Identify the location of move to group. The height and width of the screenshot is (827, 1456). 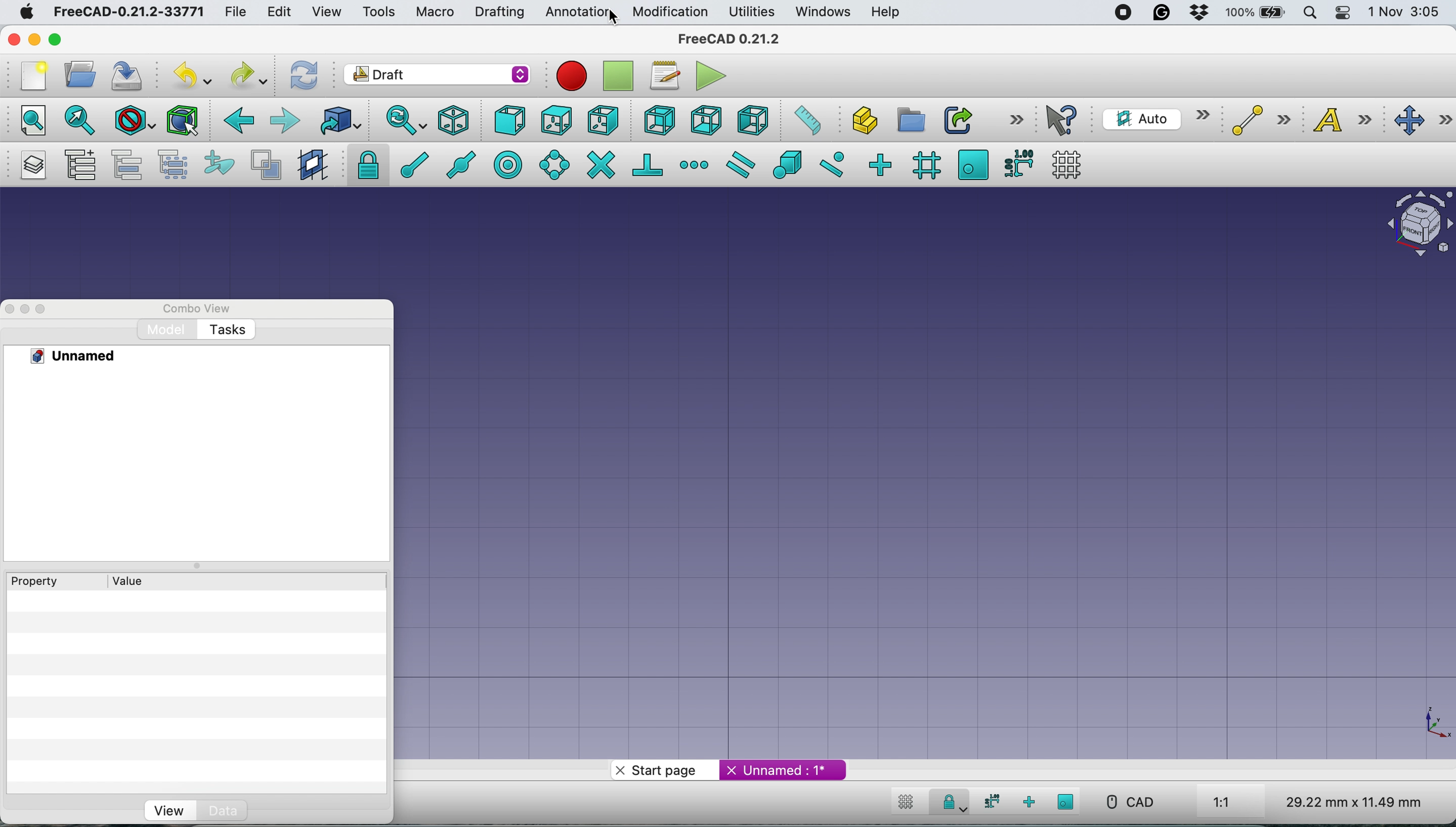
(125, 164).